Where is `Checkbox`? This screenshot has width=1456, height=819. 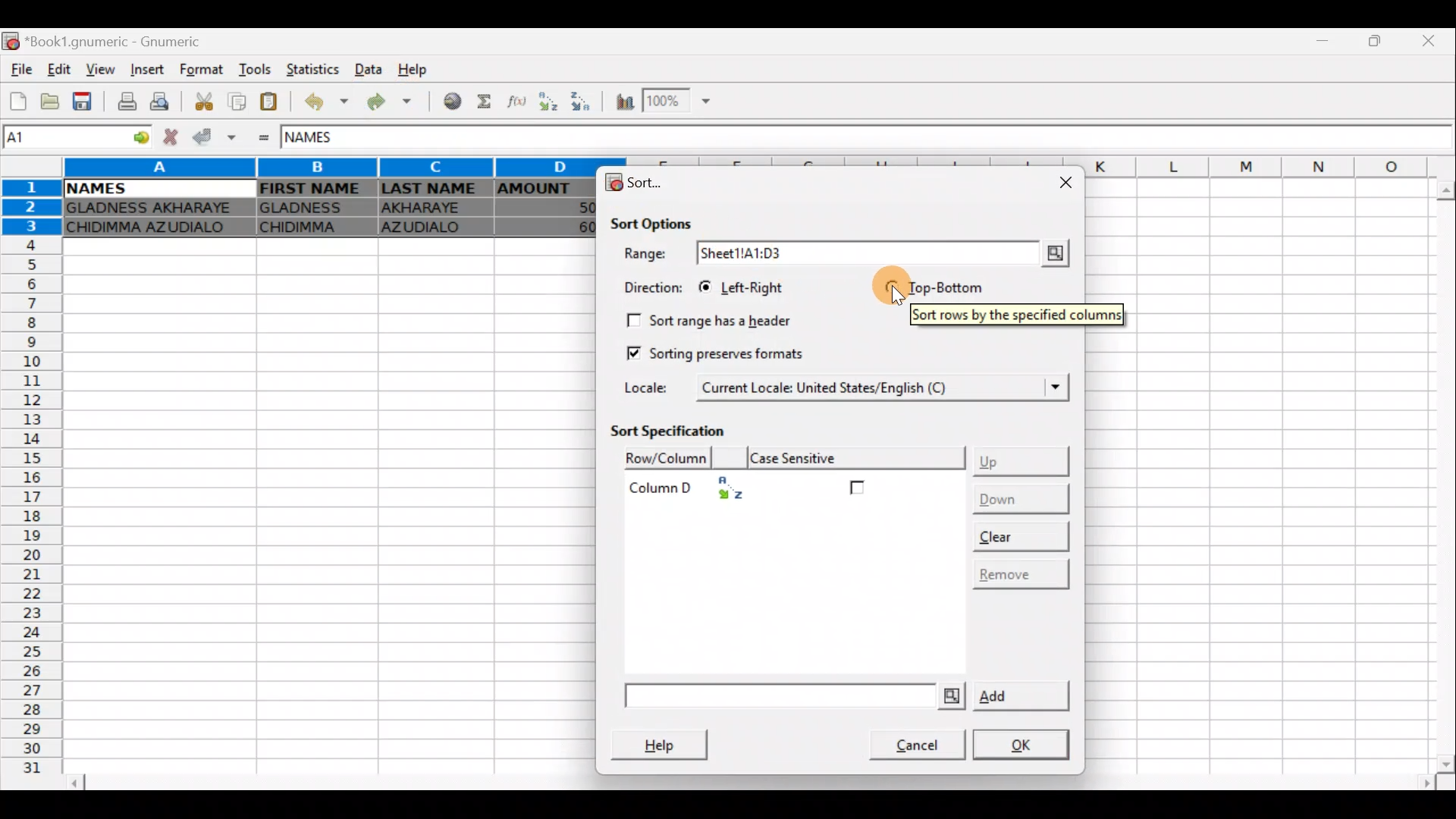
Checkbox is located at coordinates (857, 491).